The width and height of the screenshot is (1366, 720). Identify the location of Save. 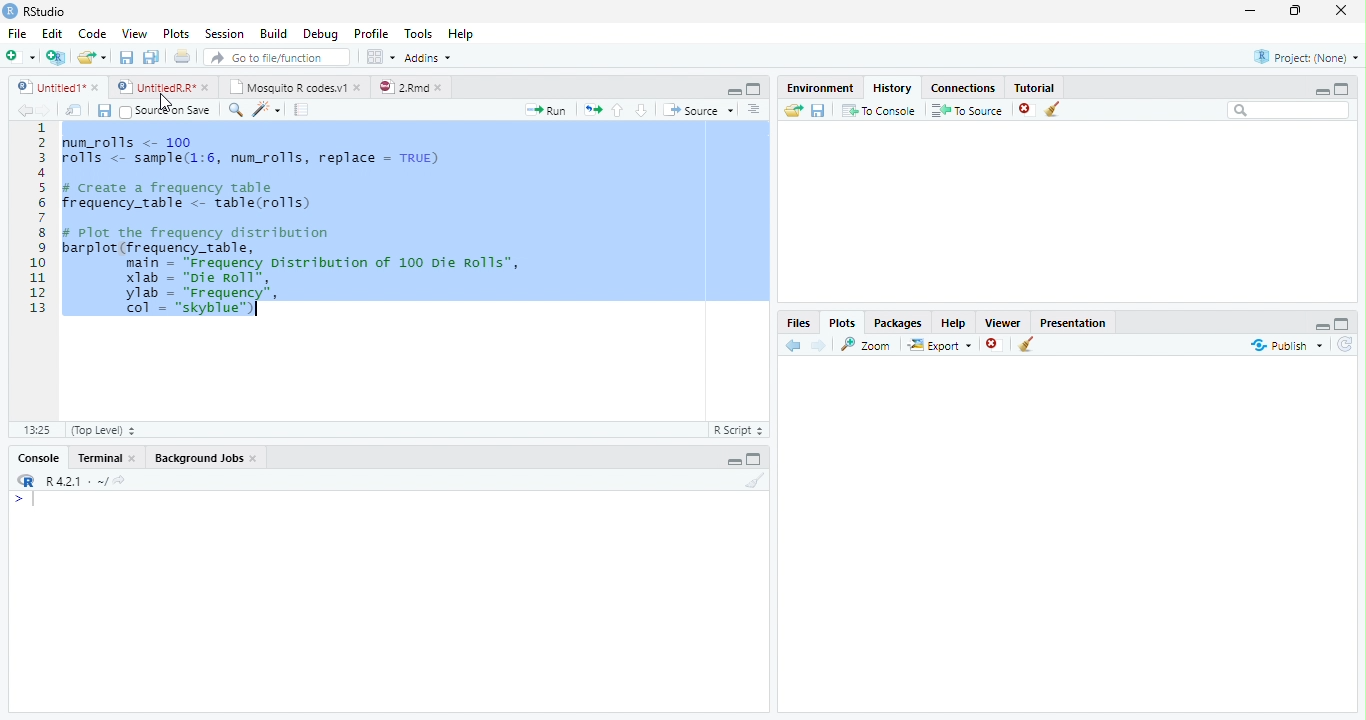
(103, 110).